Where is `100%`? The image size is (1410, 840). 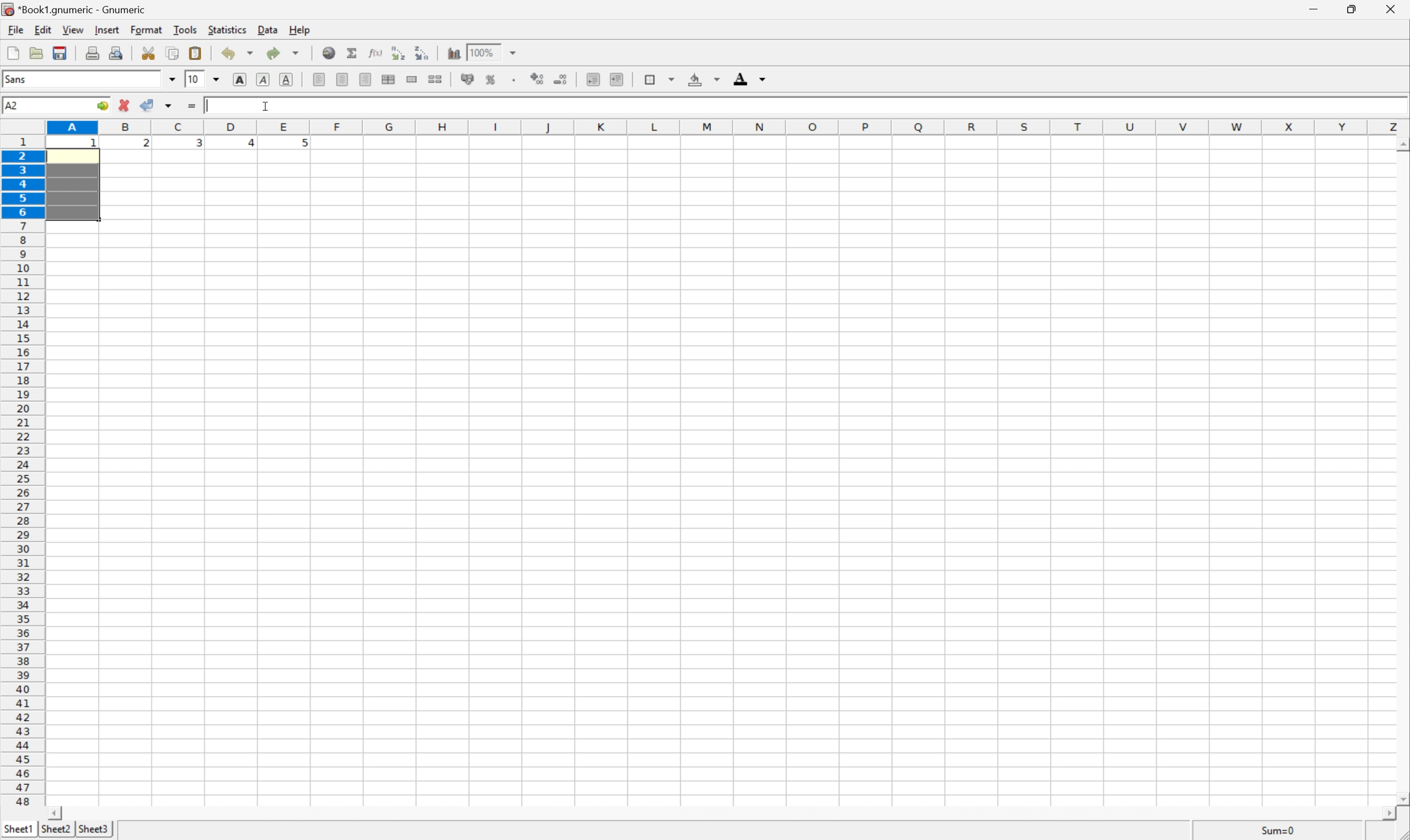 100% is located at coordinates (484, 52).